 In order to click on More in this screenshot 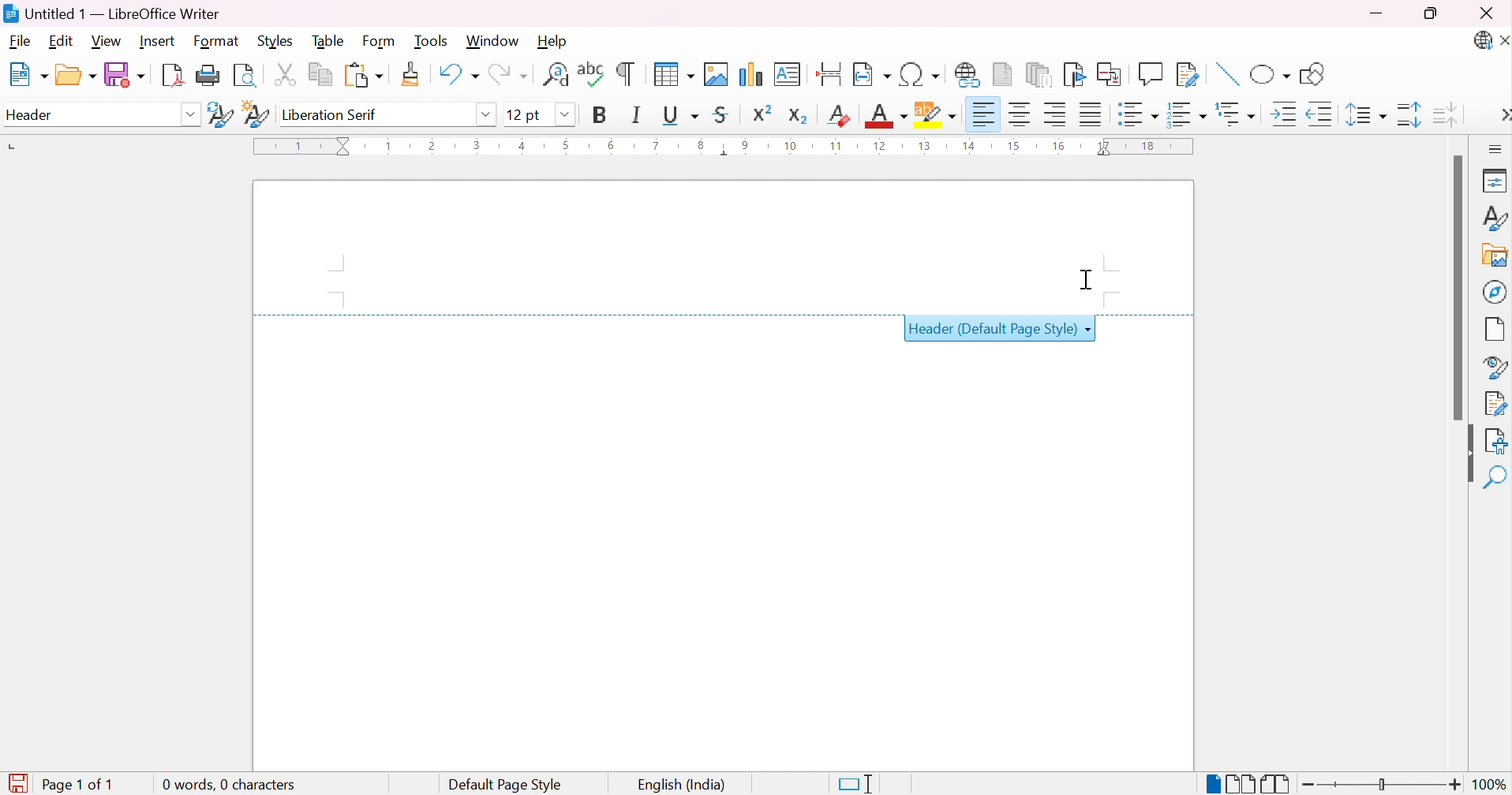, I will do `click(1503, 115)`.